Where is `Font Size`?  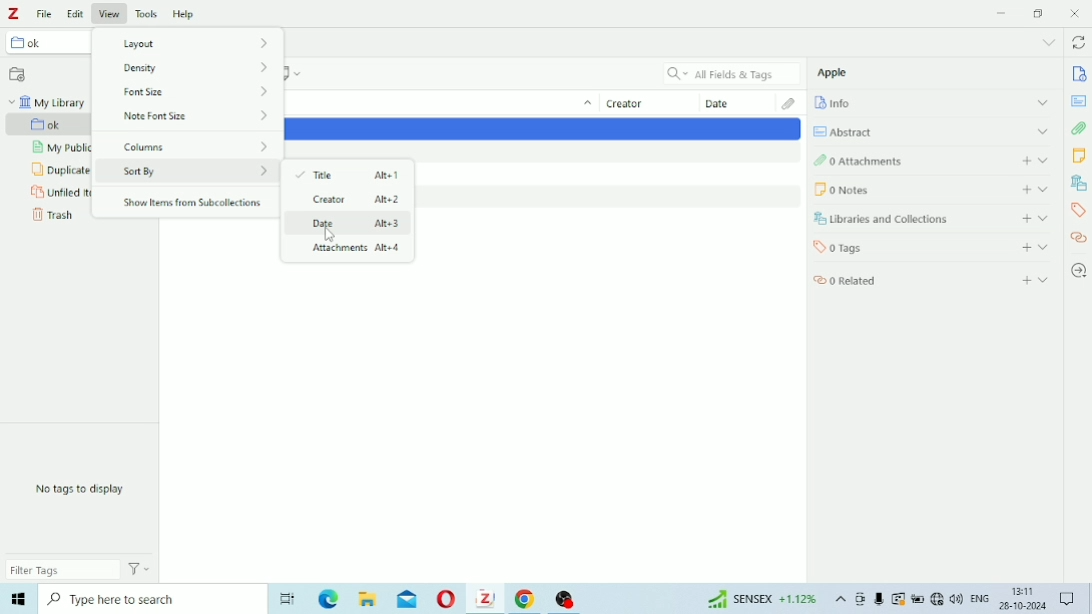
Font Size is located at coordinates (196, 94).